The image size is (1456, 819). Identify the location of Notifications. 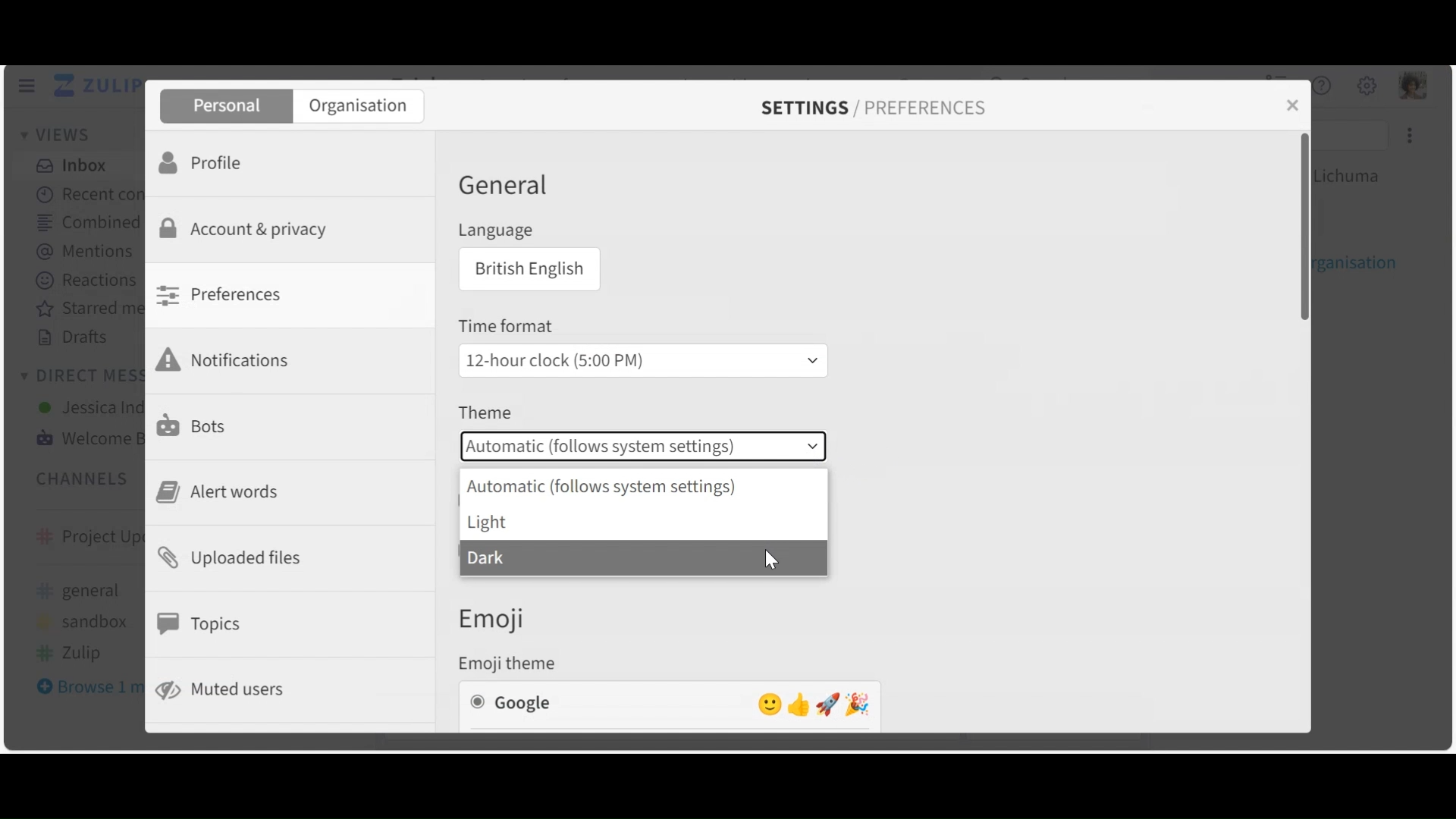
(228, 359).